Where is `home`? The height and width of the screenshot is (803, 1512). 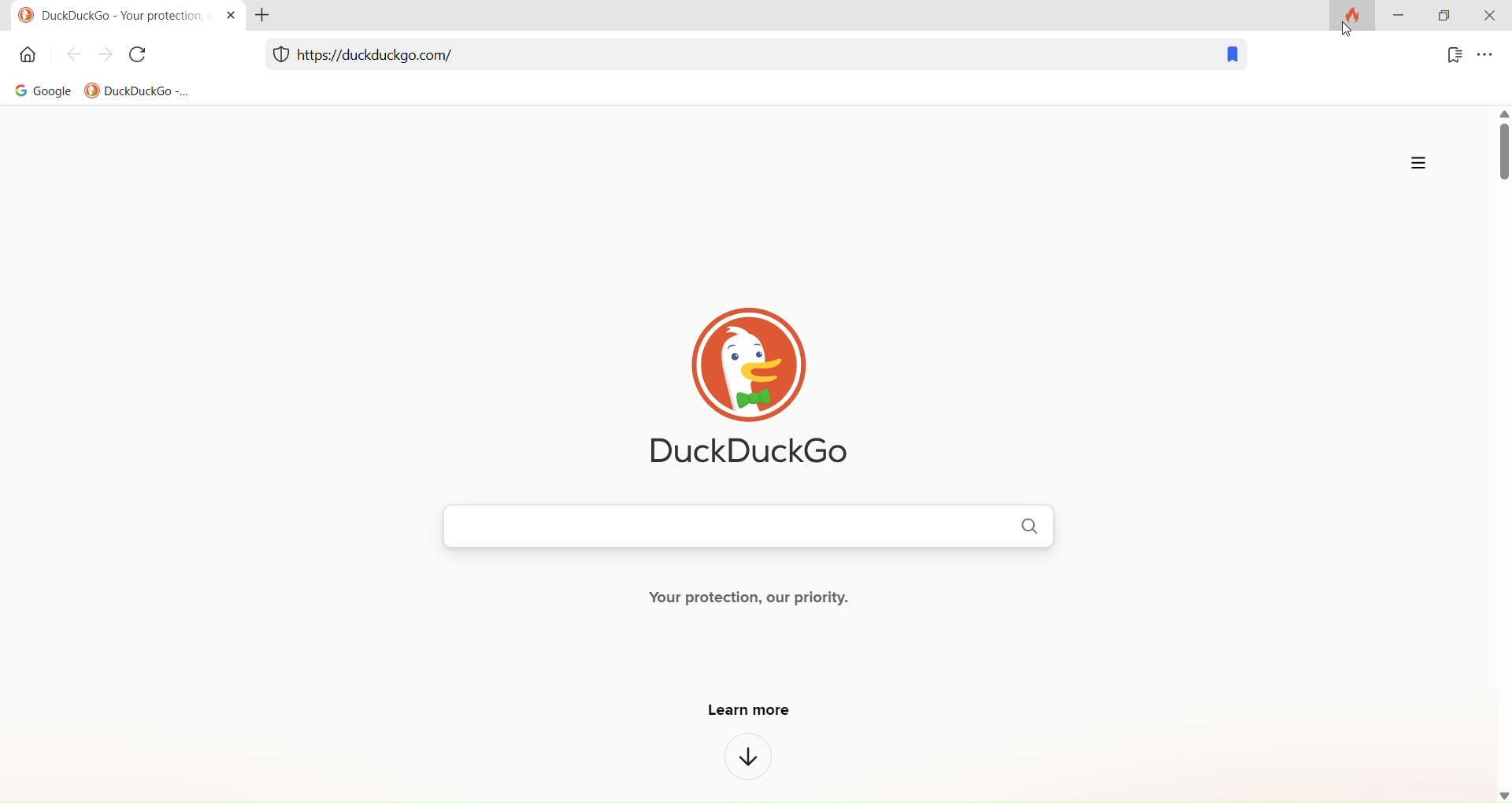
home is located at coordinates (26, 59).